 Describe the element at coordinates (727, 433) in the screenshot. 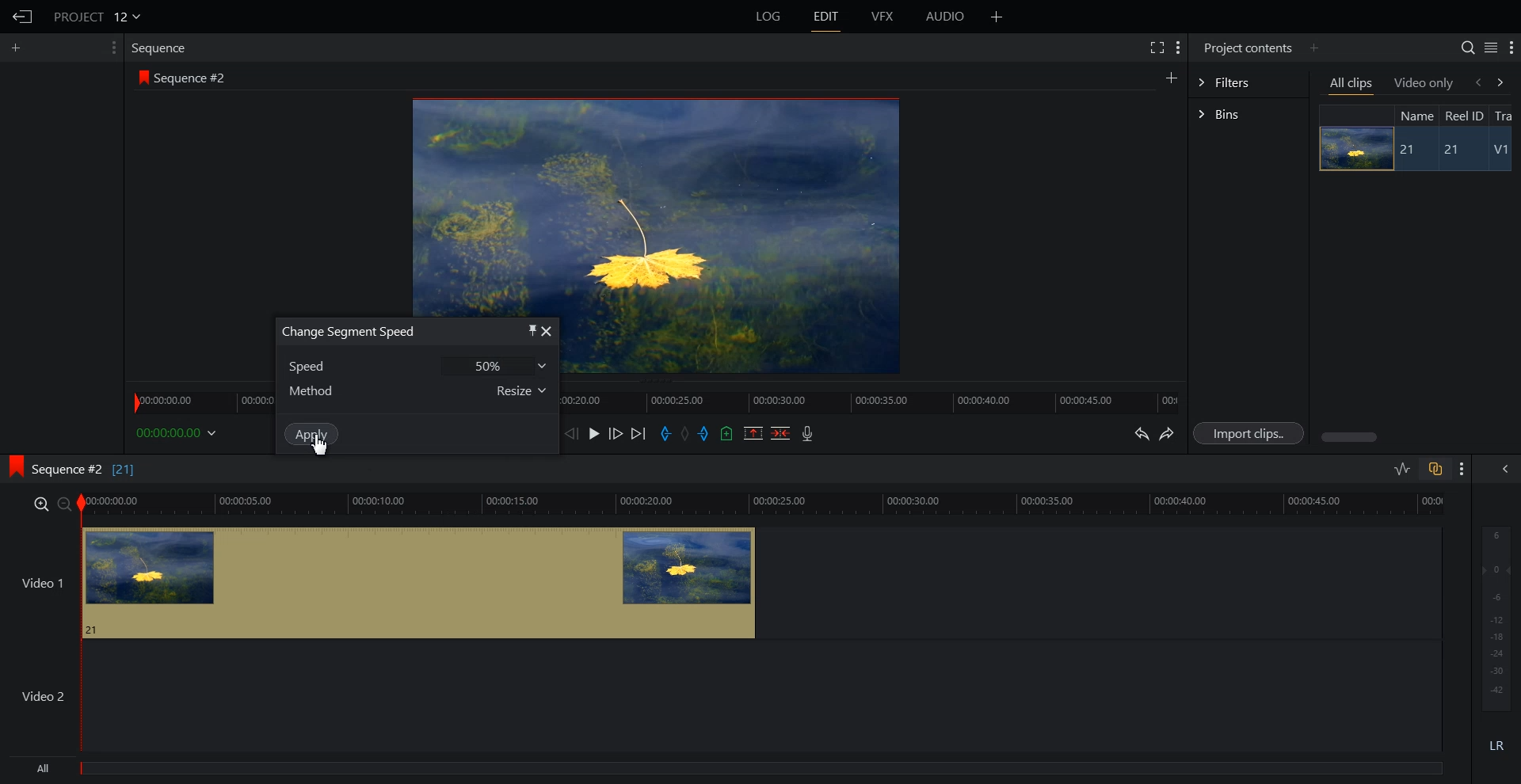

I see `Add an Cue in current position` at that location.